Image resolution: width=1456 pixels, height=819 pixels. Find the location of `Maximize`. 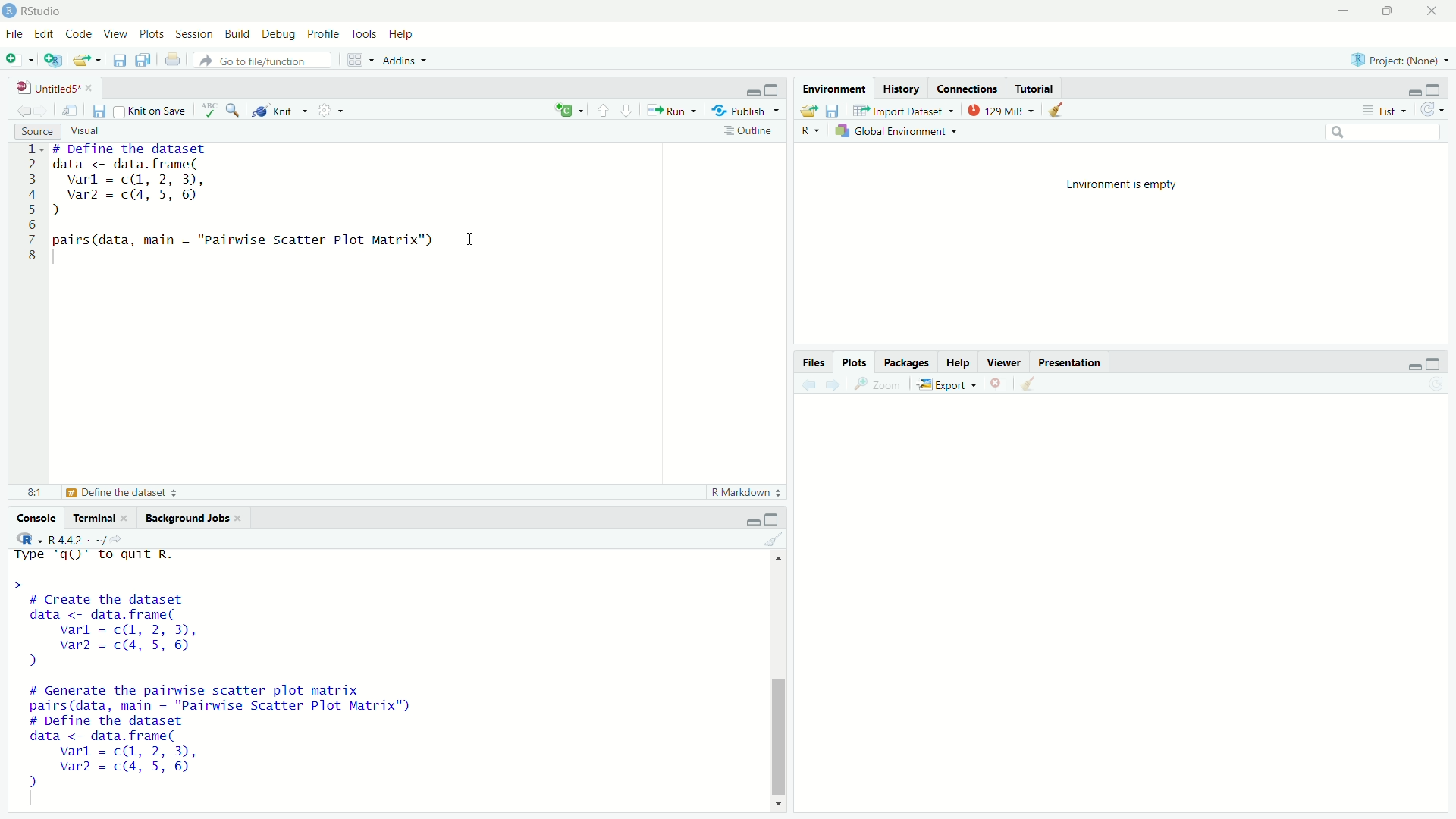

Maximize is located at coordinates (1434, 91).